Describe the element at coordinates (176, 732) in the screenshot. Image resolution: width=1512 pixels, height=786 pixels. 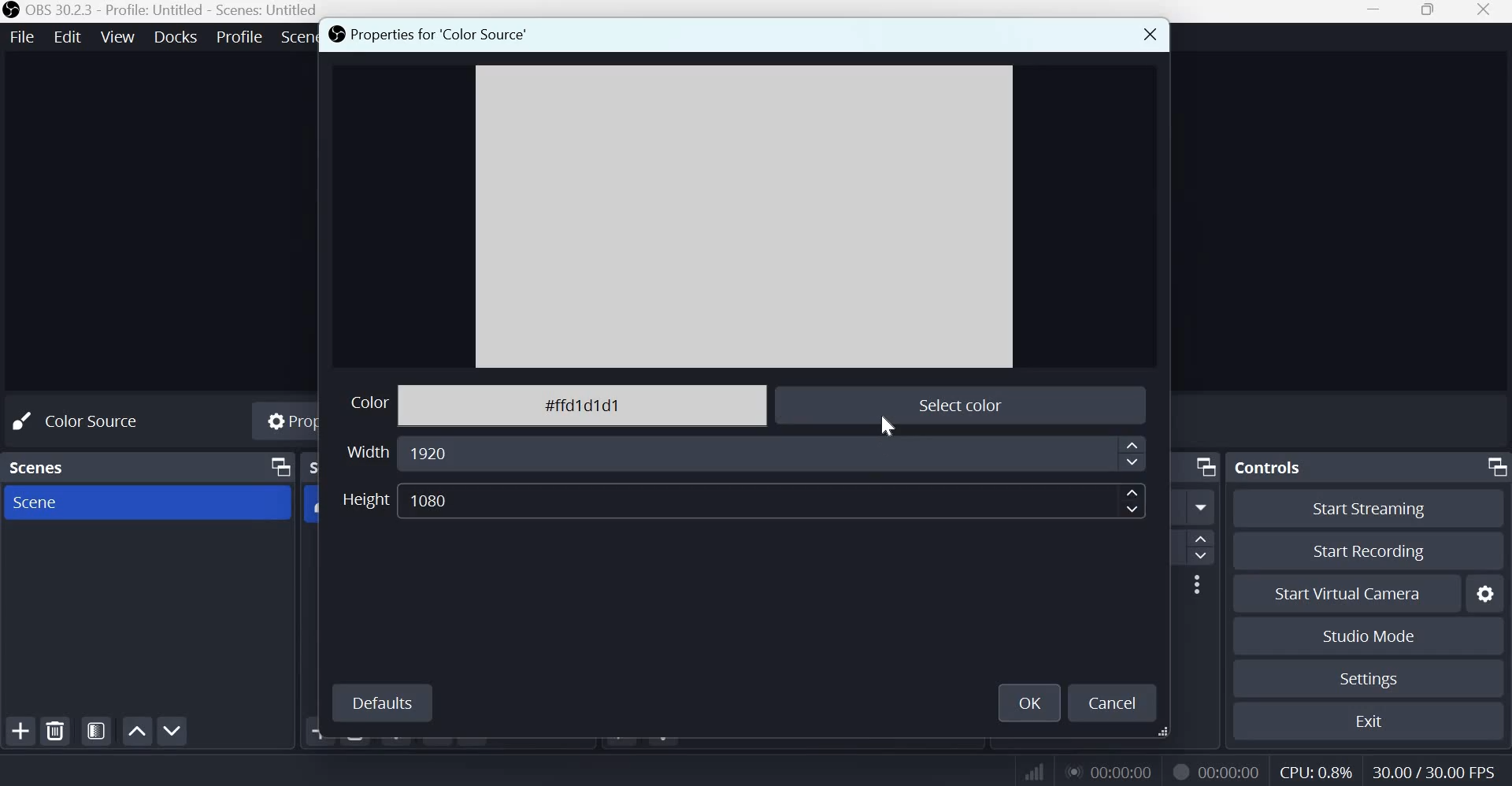
I see `Move scene down` at that location.